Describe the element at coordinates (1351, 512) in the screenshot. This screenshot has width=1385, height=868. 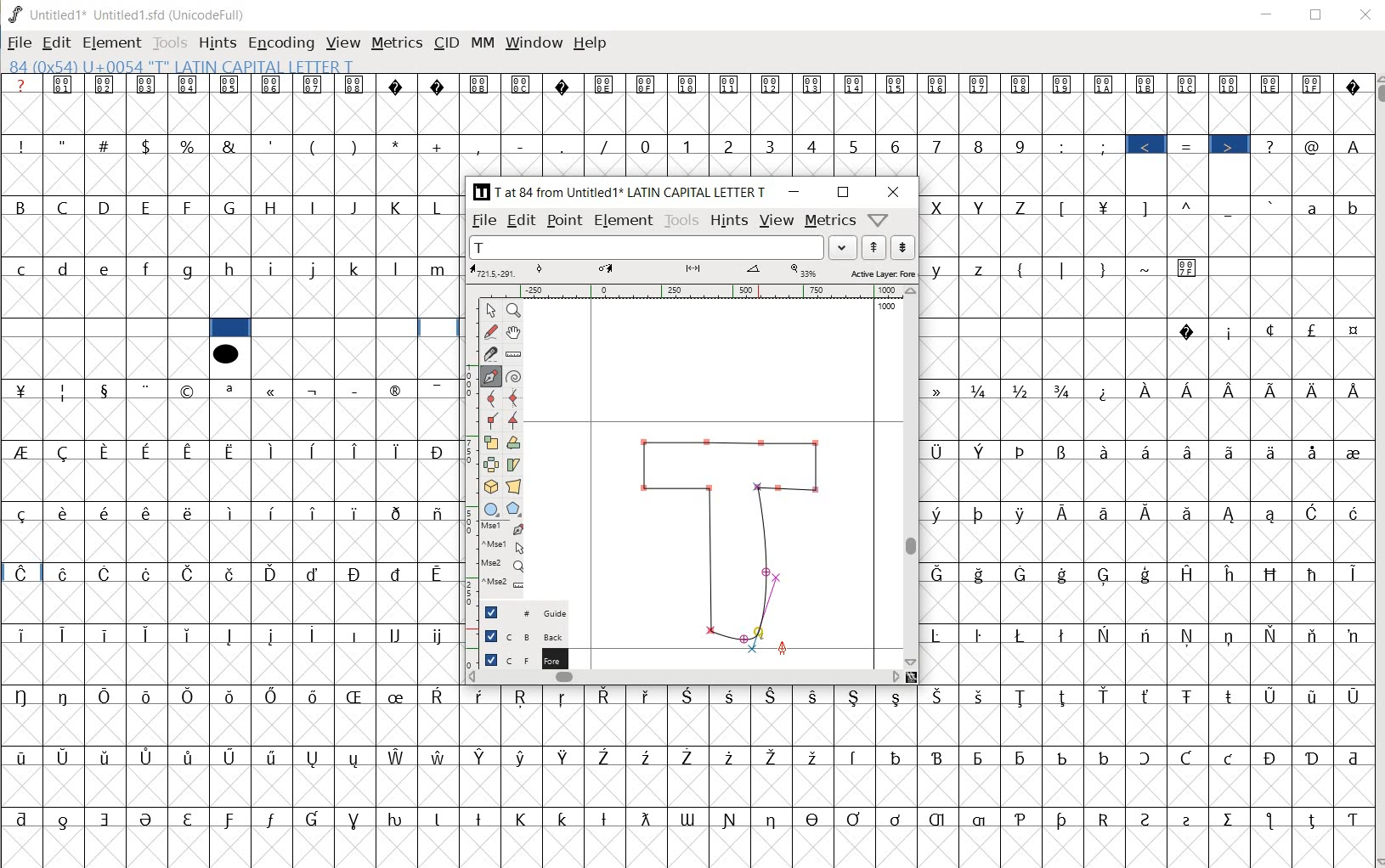
I see `Symbol` at that location.